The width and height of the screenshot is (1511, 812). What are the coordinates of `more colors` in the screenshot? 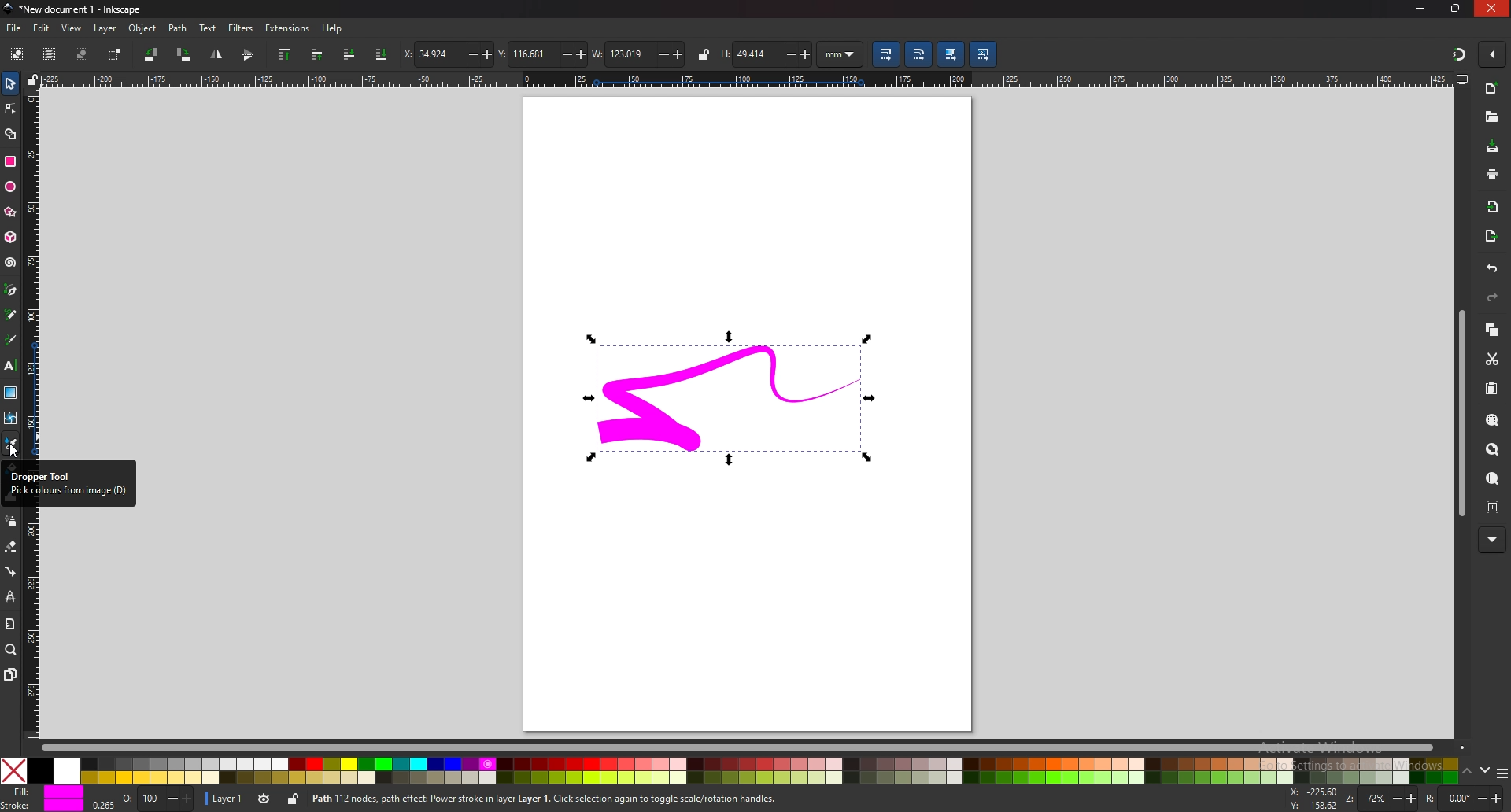 It's located at (1502, 773).